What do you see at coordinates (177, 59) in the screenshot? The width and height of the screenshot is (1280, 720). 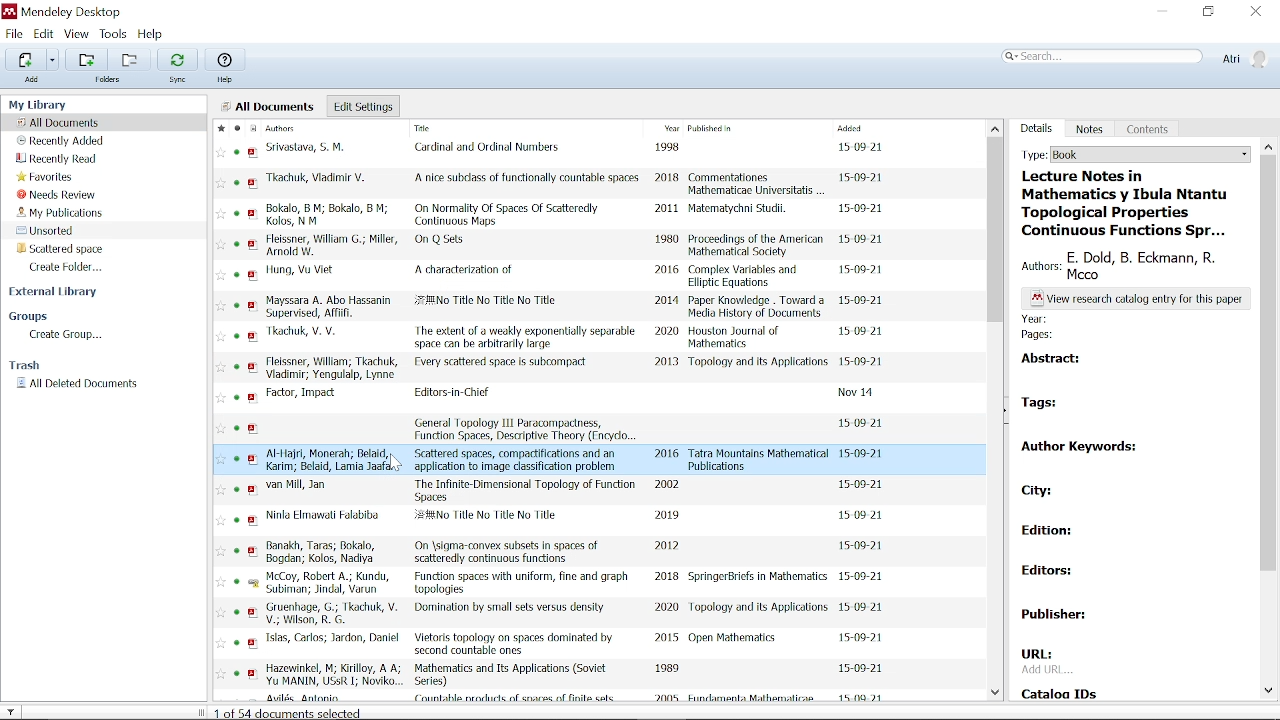 I see `Sync` at bounding box center [177, 59].